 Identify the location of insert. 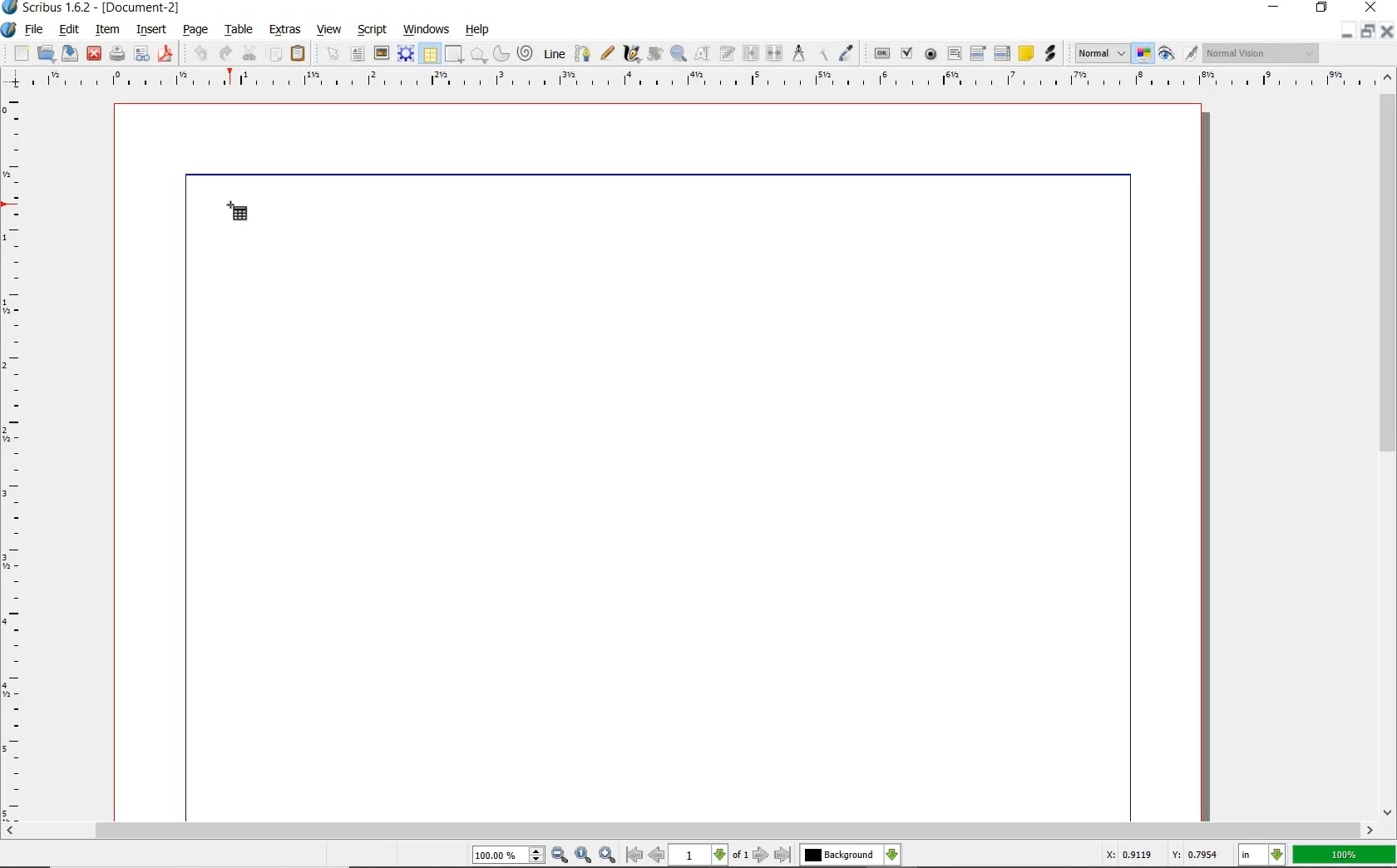
(155, 31).